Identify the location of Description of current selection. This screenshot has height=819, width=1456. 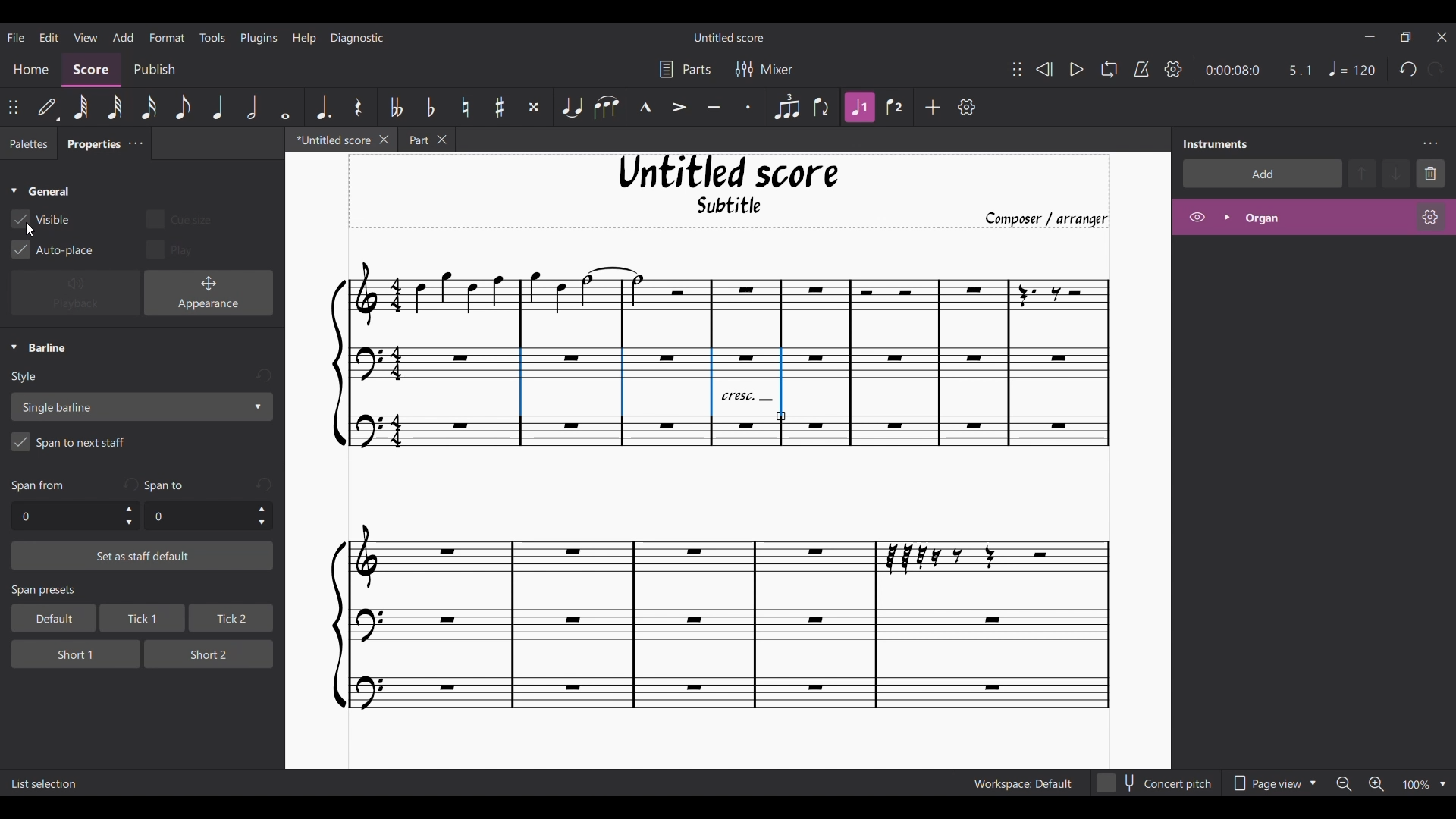
(45, 784).